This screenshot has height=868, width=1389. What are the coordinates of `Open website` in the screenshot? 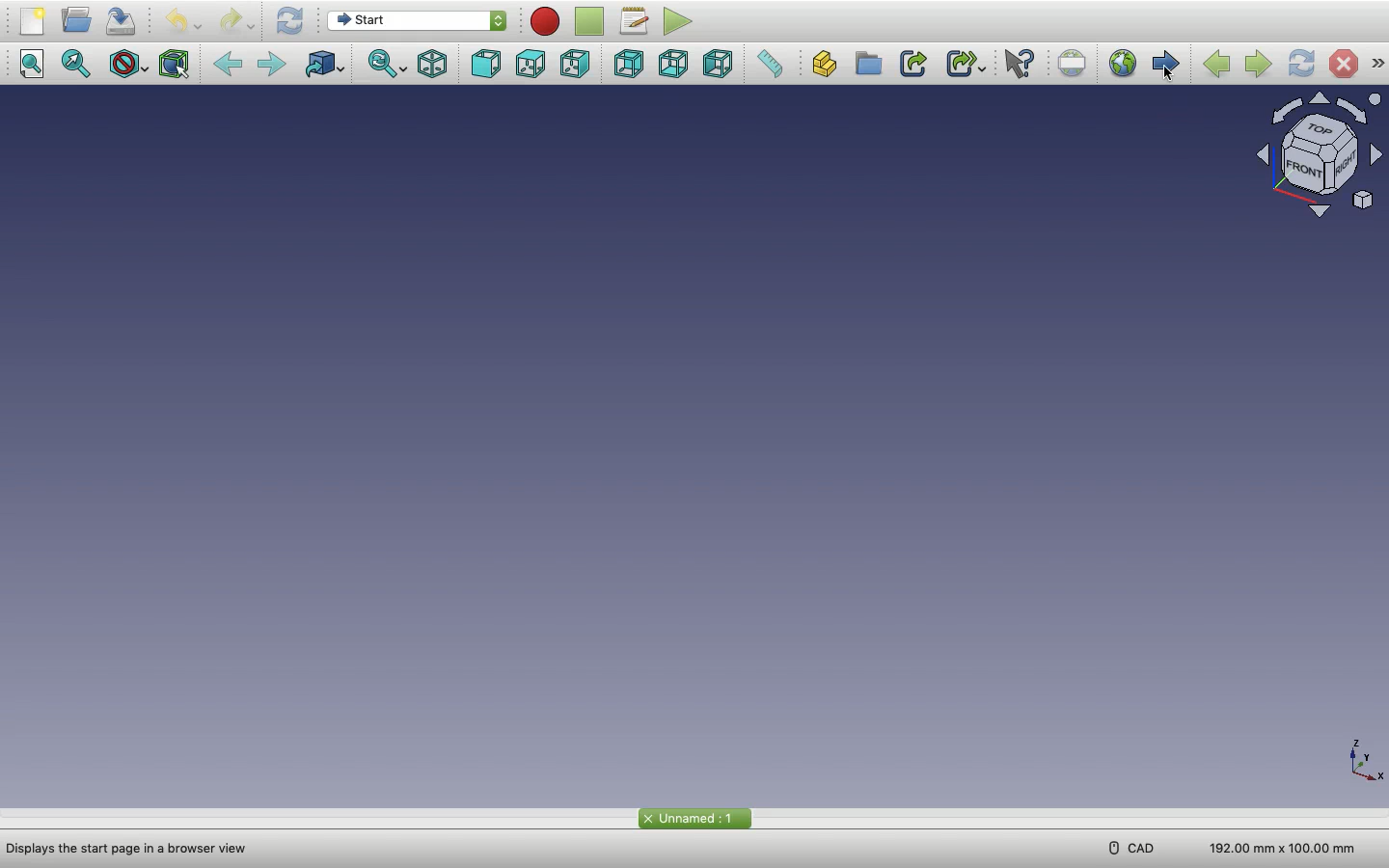 It's located at (1122, 64).